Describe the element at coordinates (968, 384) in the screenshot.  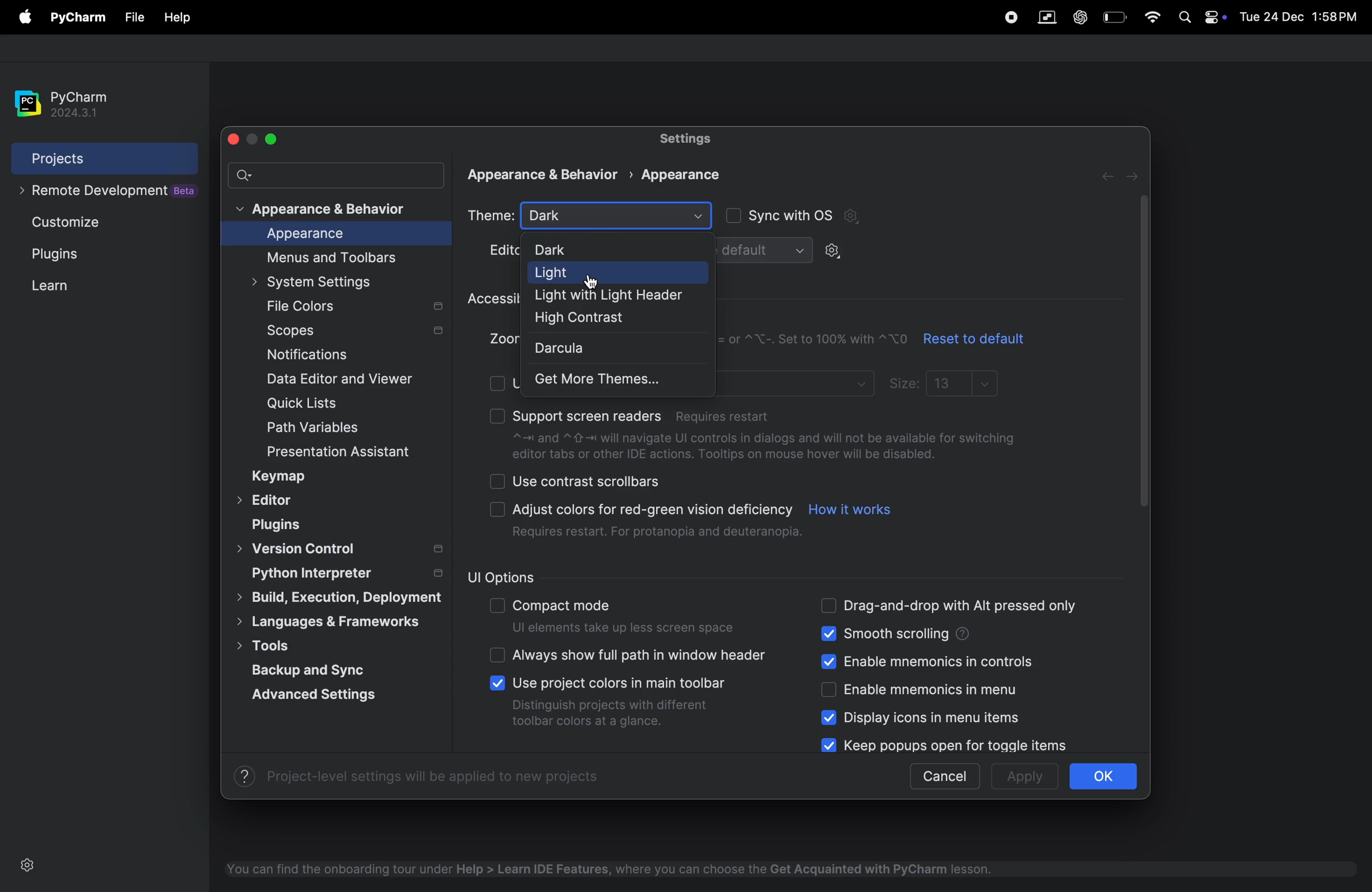
I see `13` at that location.